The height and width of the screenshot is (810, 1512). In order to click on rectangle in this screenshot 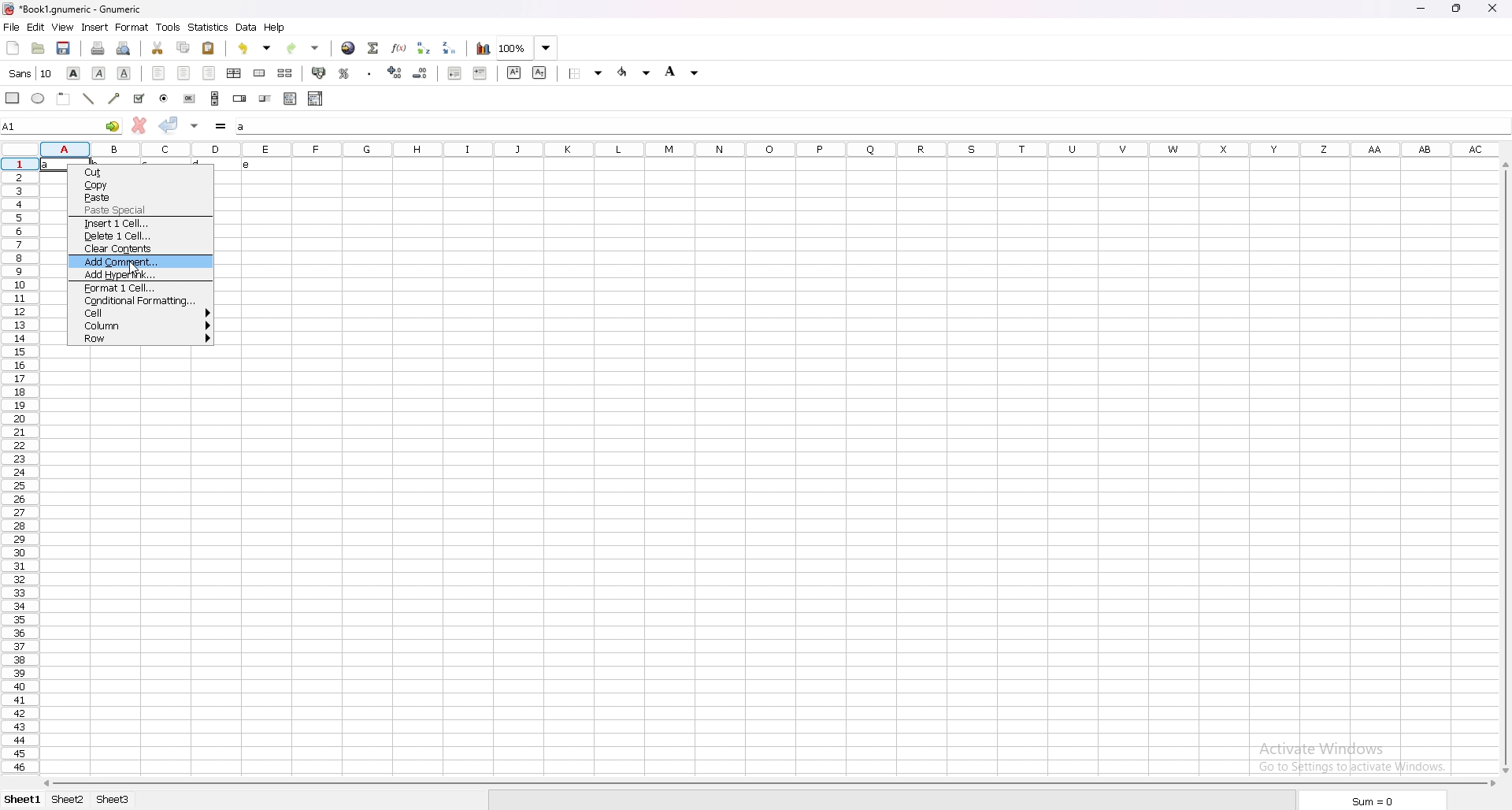, I will do `click(13, 97)`.